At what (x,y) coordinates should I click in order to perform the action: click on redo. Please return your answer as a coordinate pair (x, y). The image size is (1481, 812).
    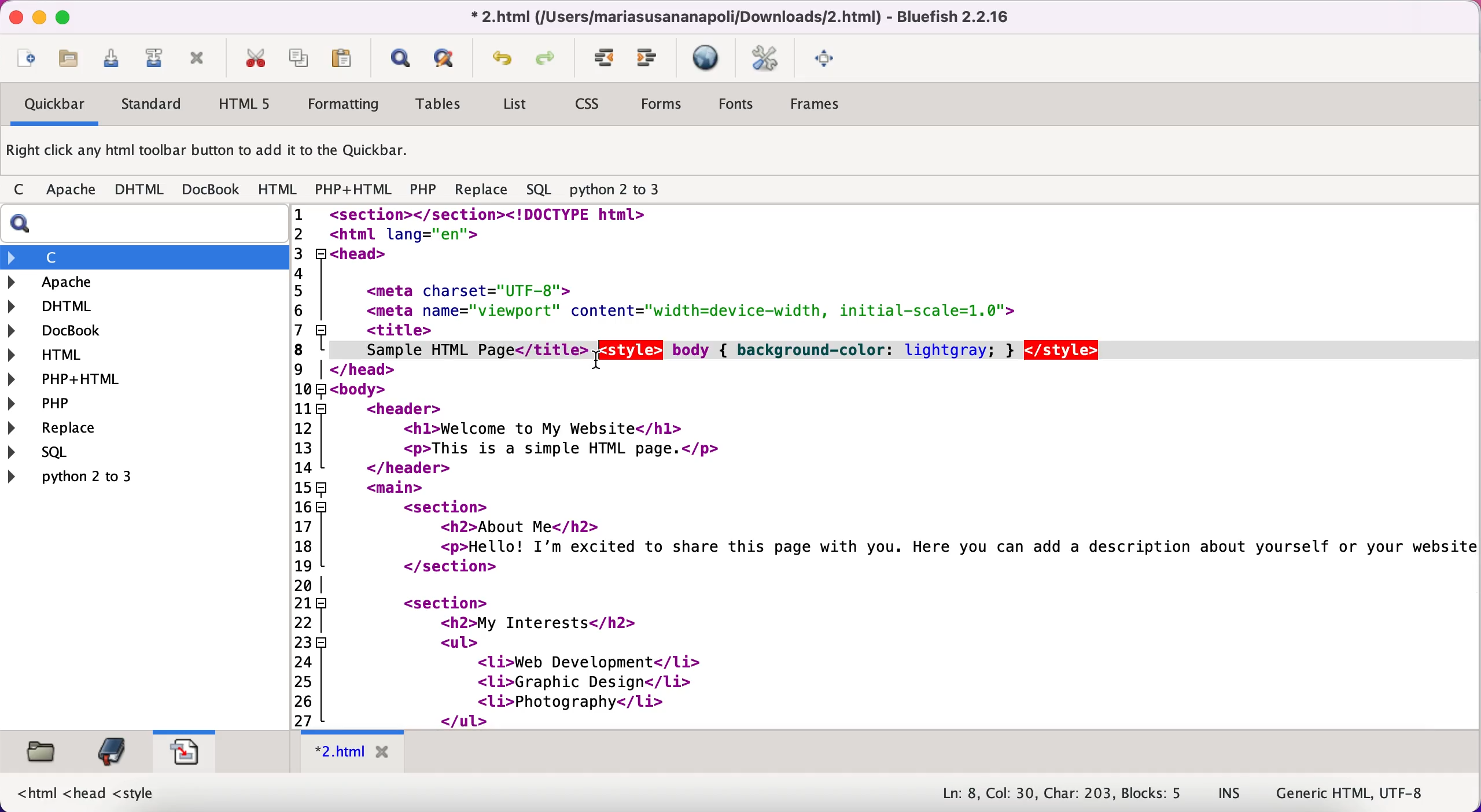
    Looking at the image, I should click on (549, 60).